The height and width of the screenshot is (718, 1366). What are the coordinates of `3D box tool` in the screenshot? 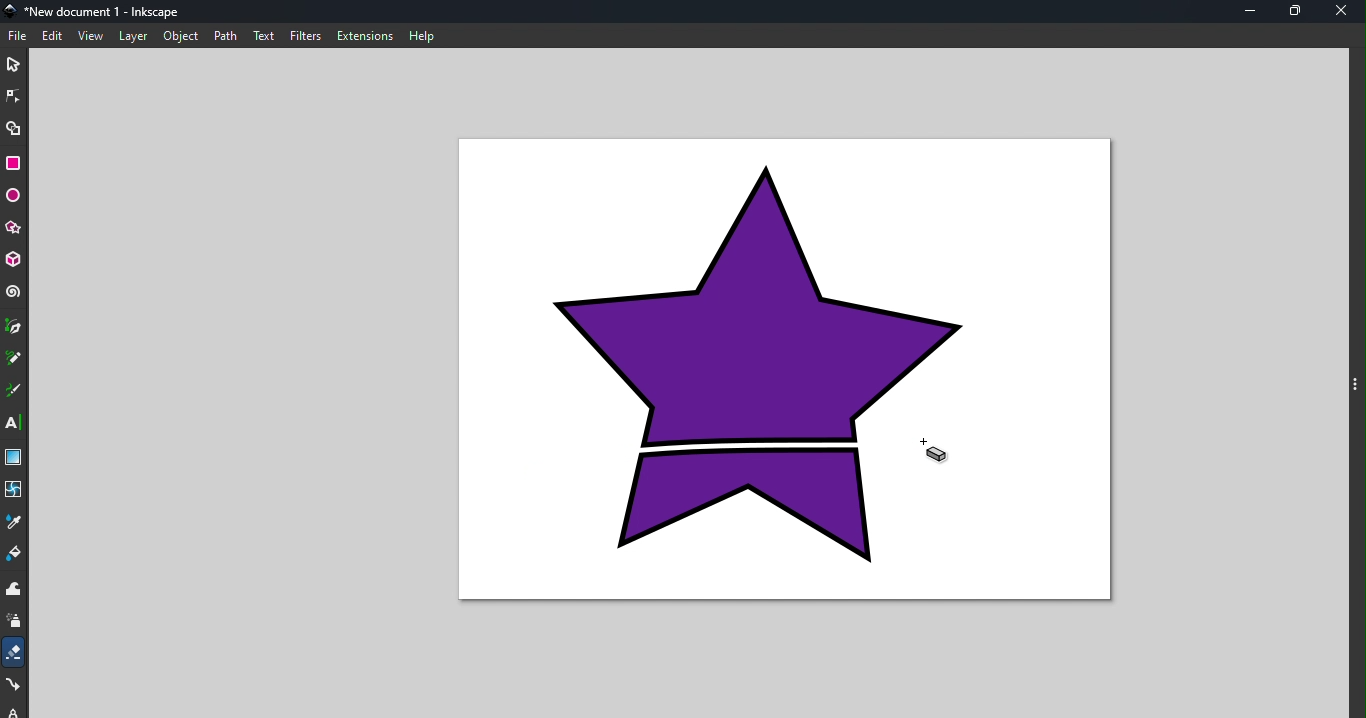 It's located at (14, 260).